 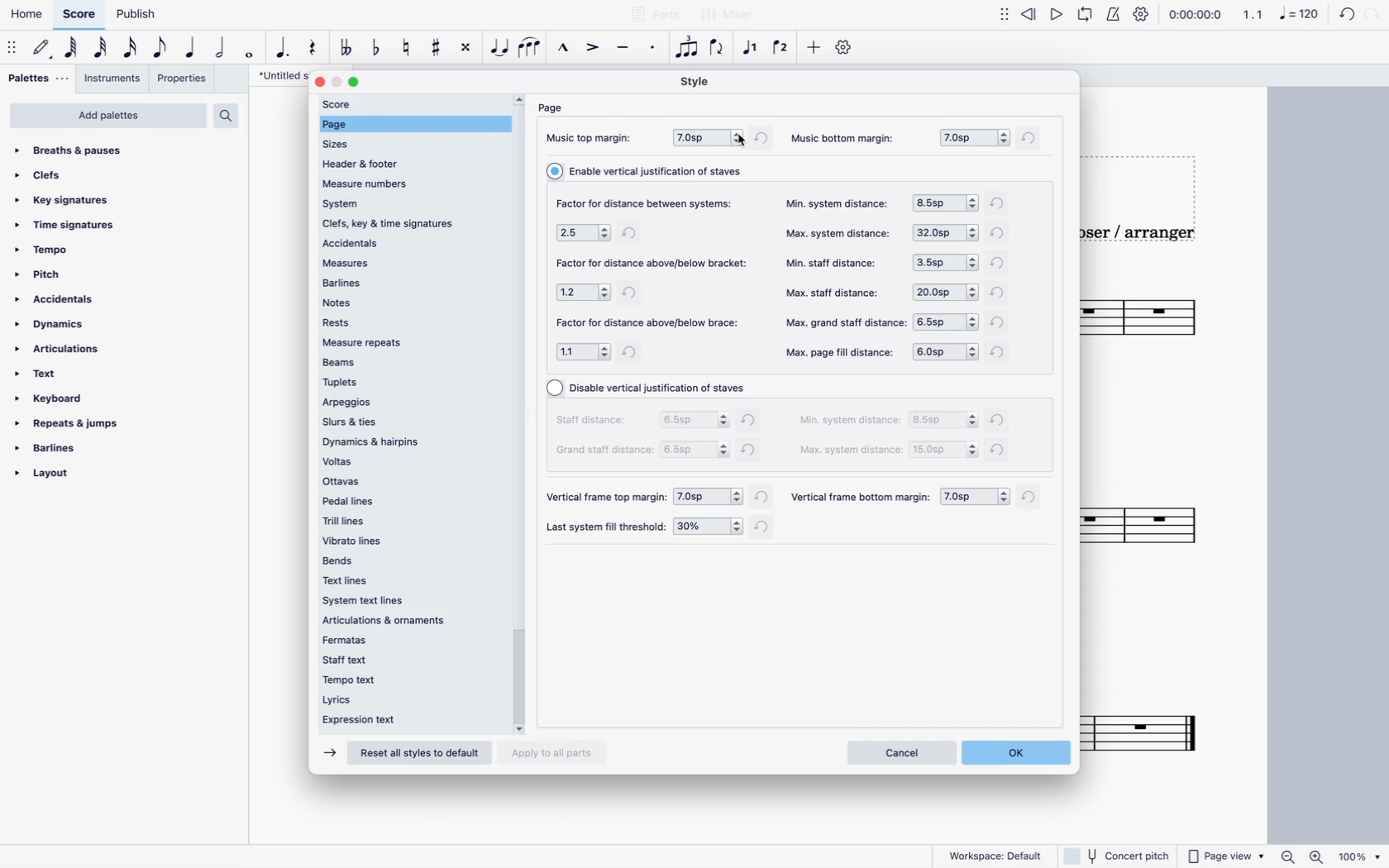 What do you see at coordinates (562, 49) in the screenshot?
I see `marcatto` at bounding box center [562, 49].